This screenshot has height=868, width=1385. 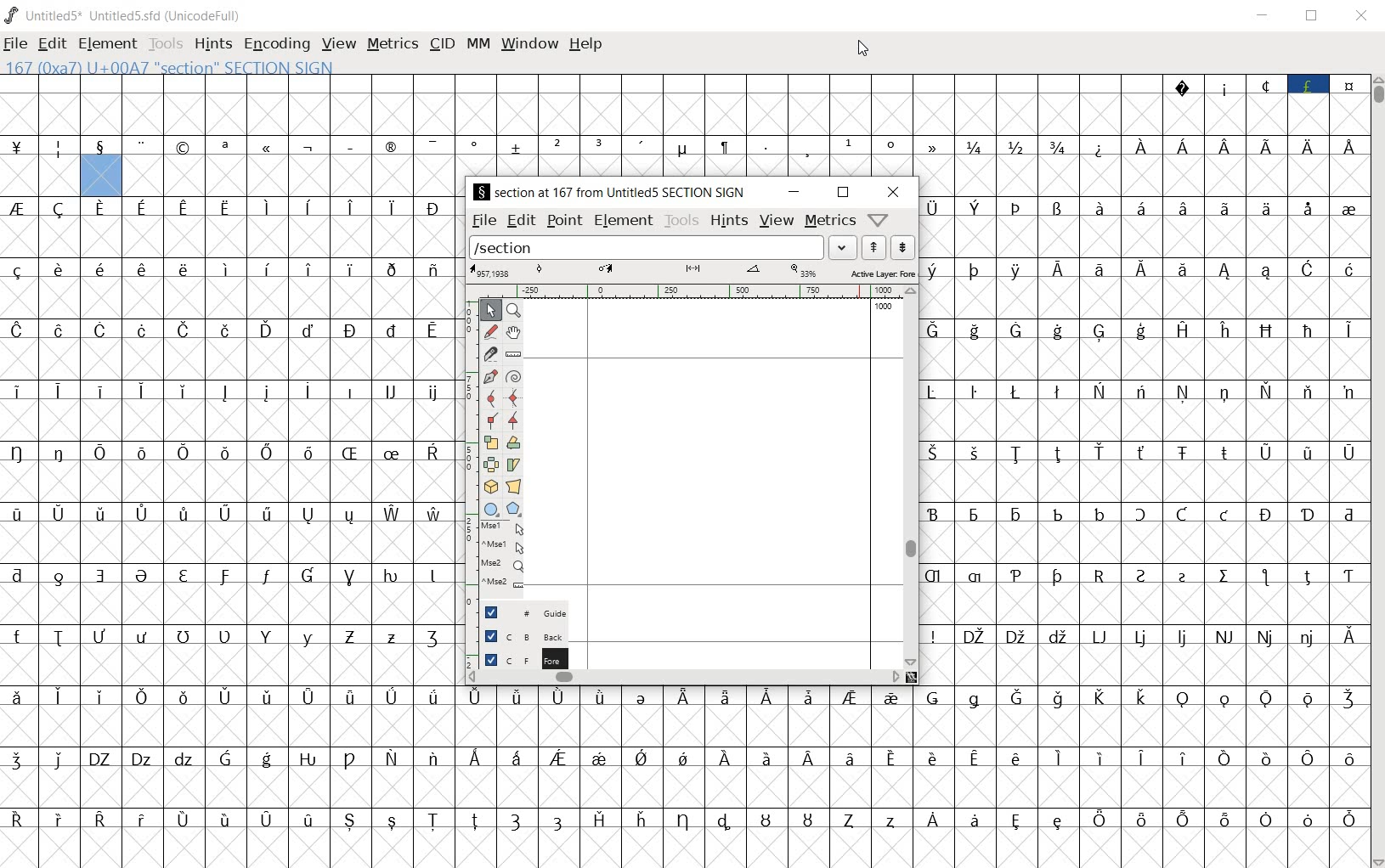 I want to click on cut splines in two, so click(x=489, y=353).